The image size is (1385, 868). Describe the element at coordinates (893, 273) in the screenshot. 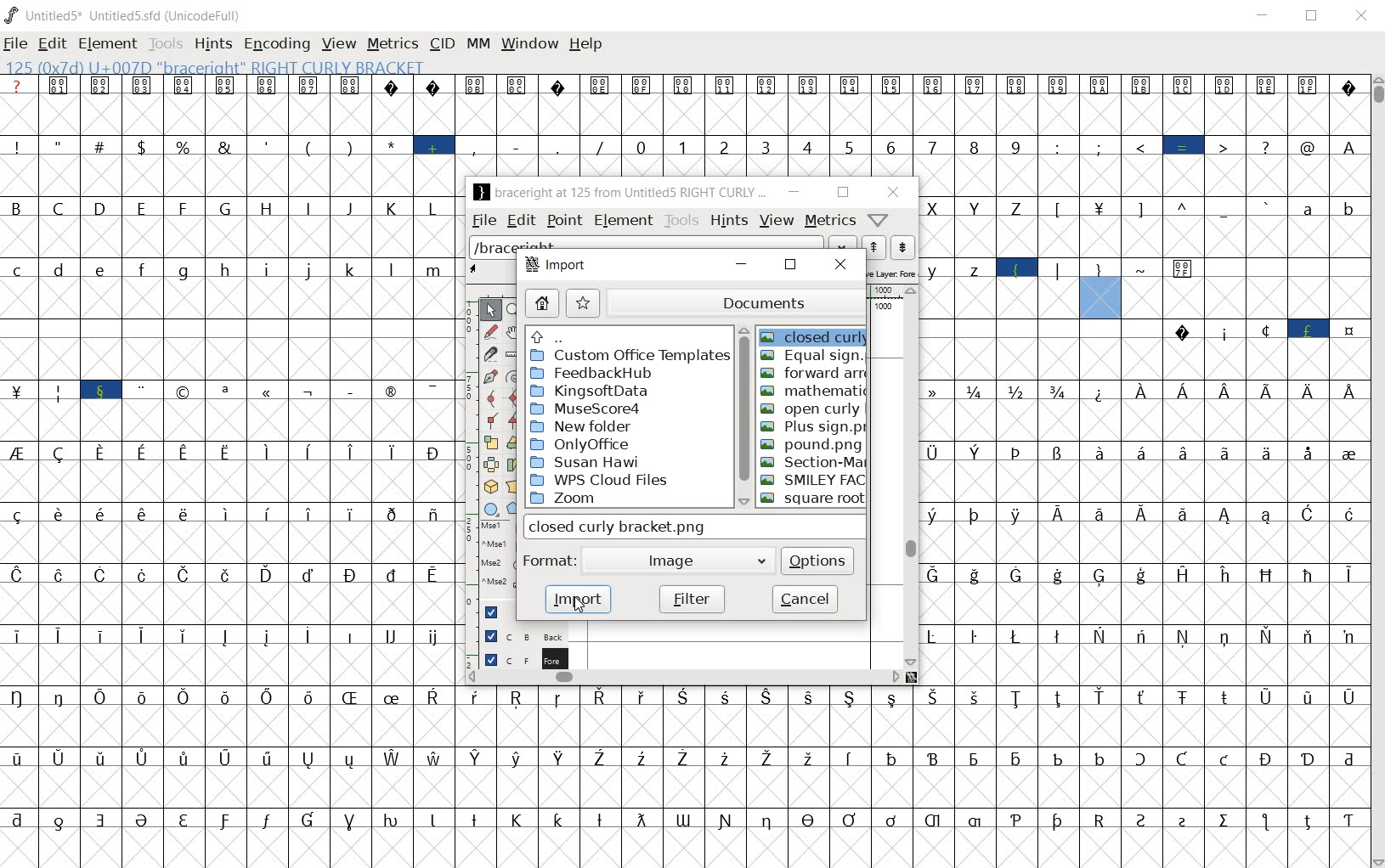

I see `active layer: fore` at that location.